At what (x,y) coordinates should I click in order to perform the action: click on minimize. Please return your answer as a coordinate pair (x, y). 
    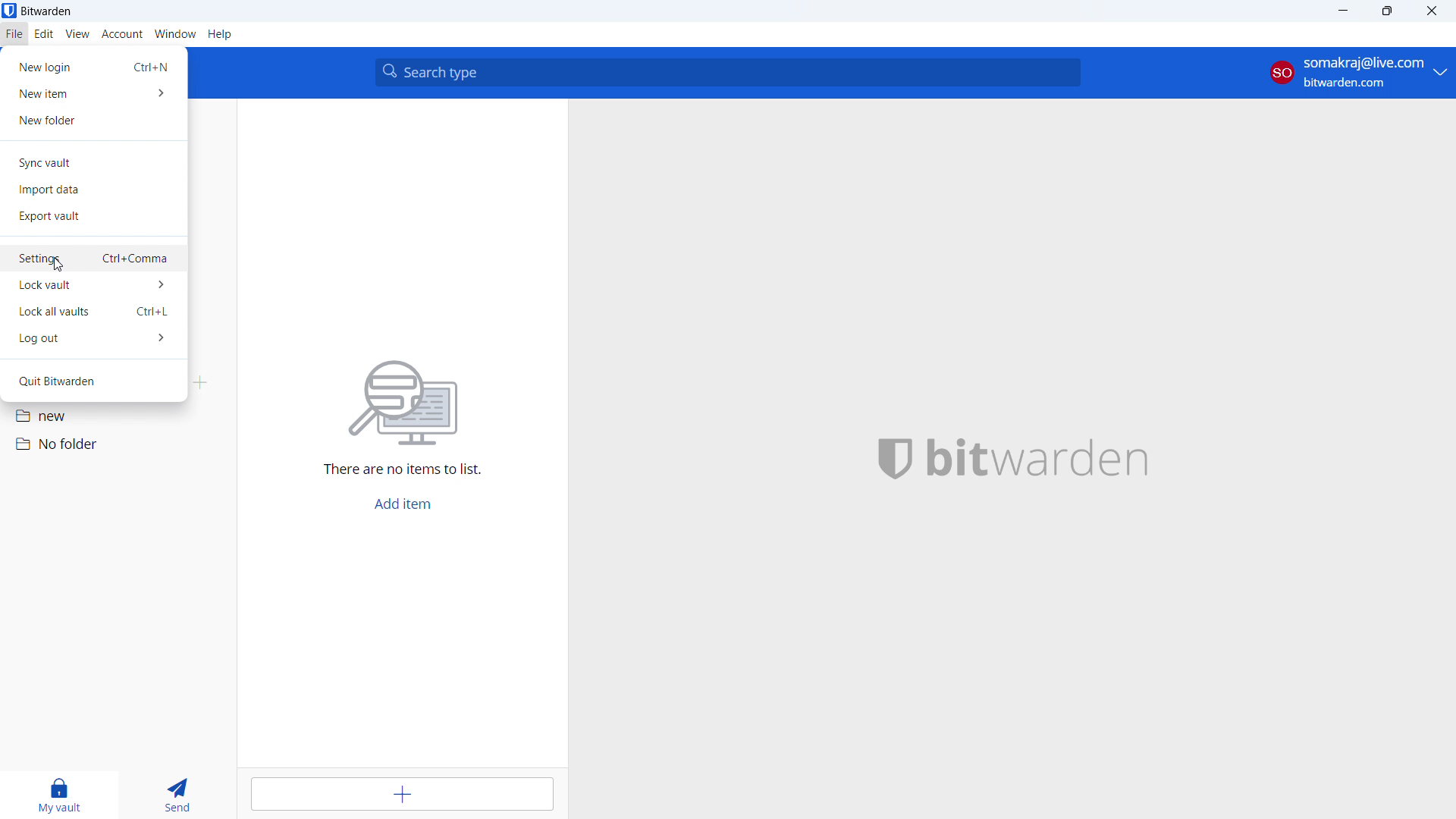
    Looking at the image, I should click on (1342, 11).